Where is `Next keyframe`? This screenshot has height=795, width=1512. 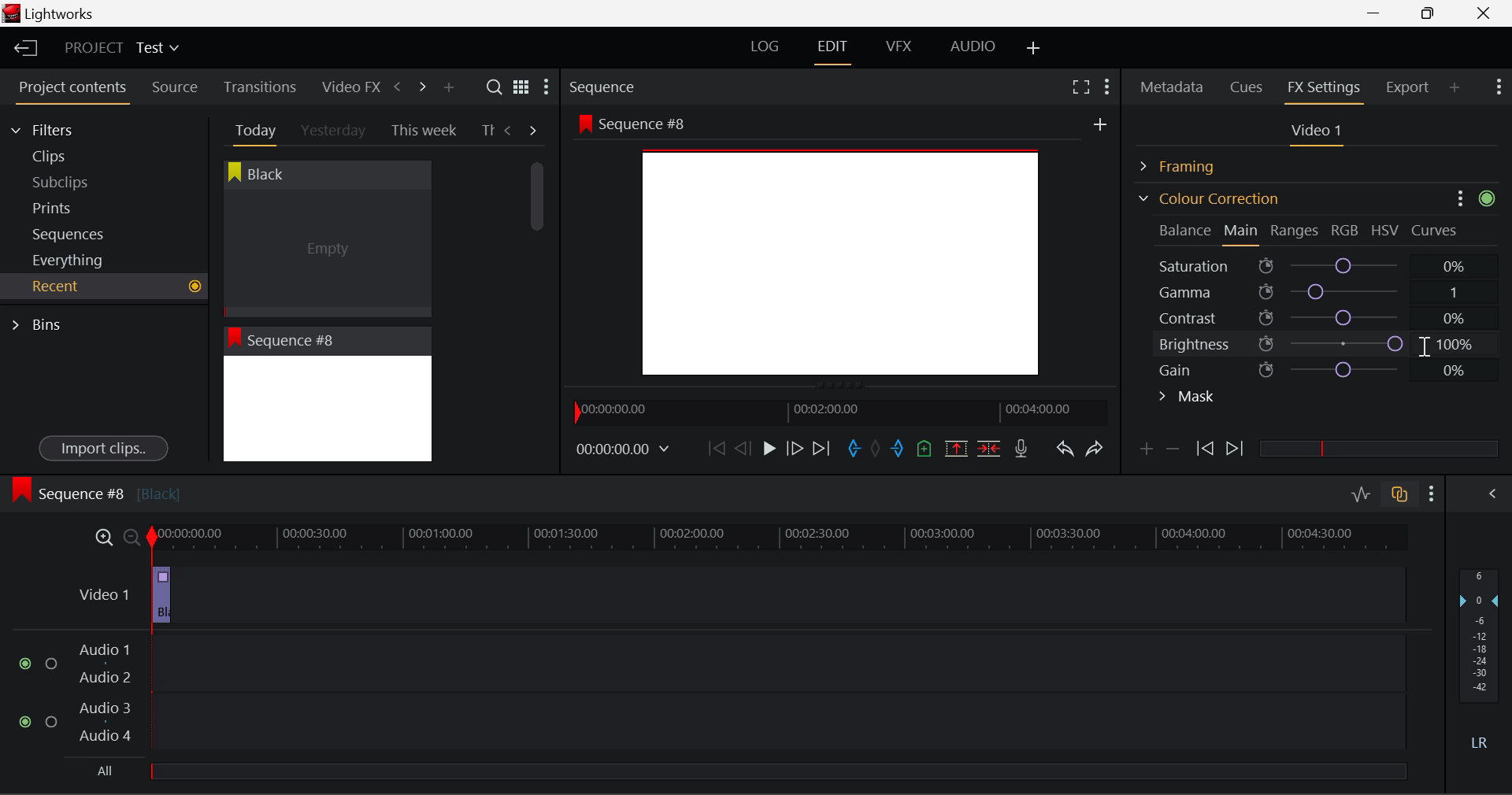 Next keyframe is located at coordinates (1236, 449).